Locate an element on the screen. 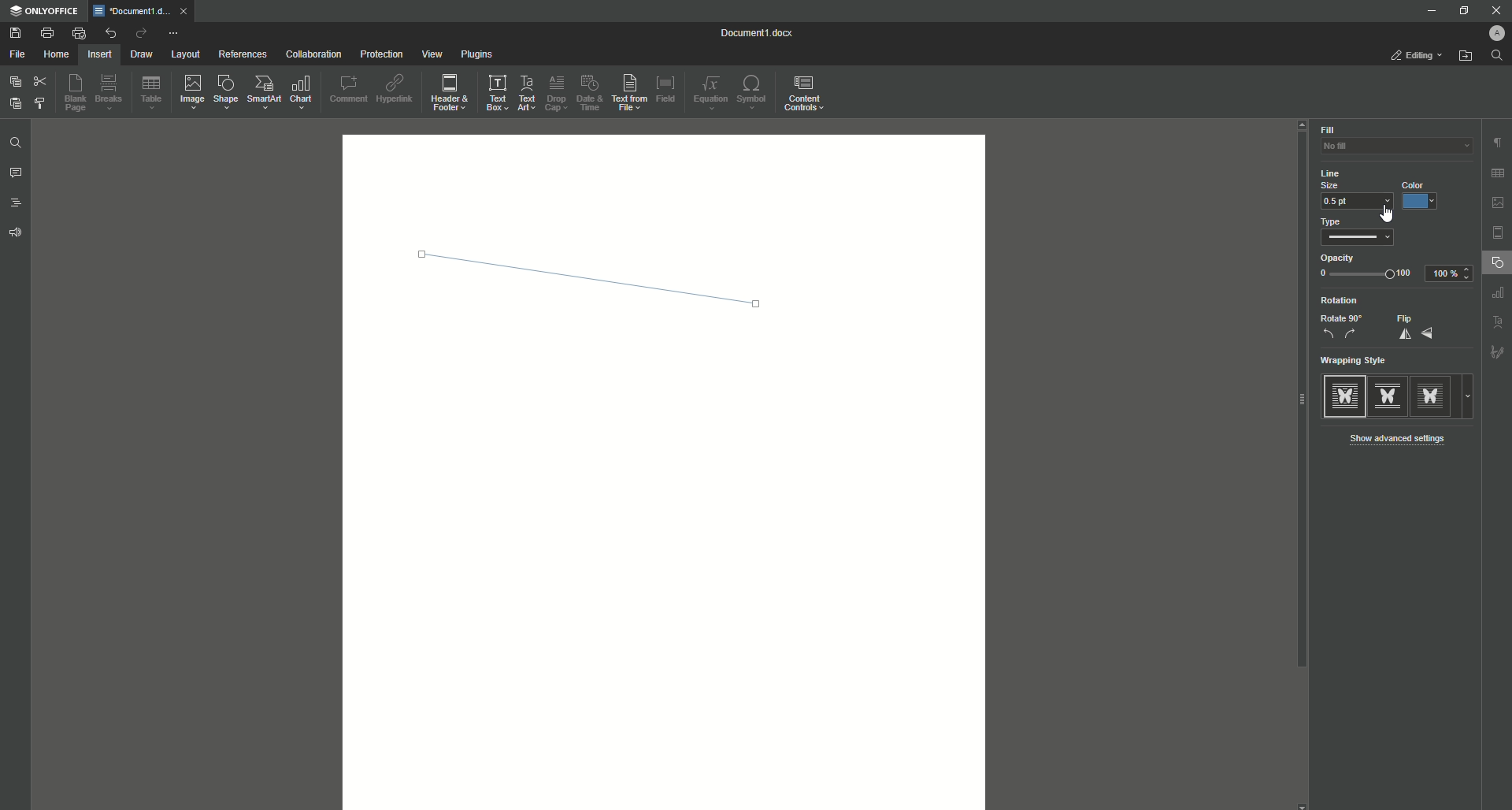  Chart is located at coordinates (306, 92).